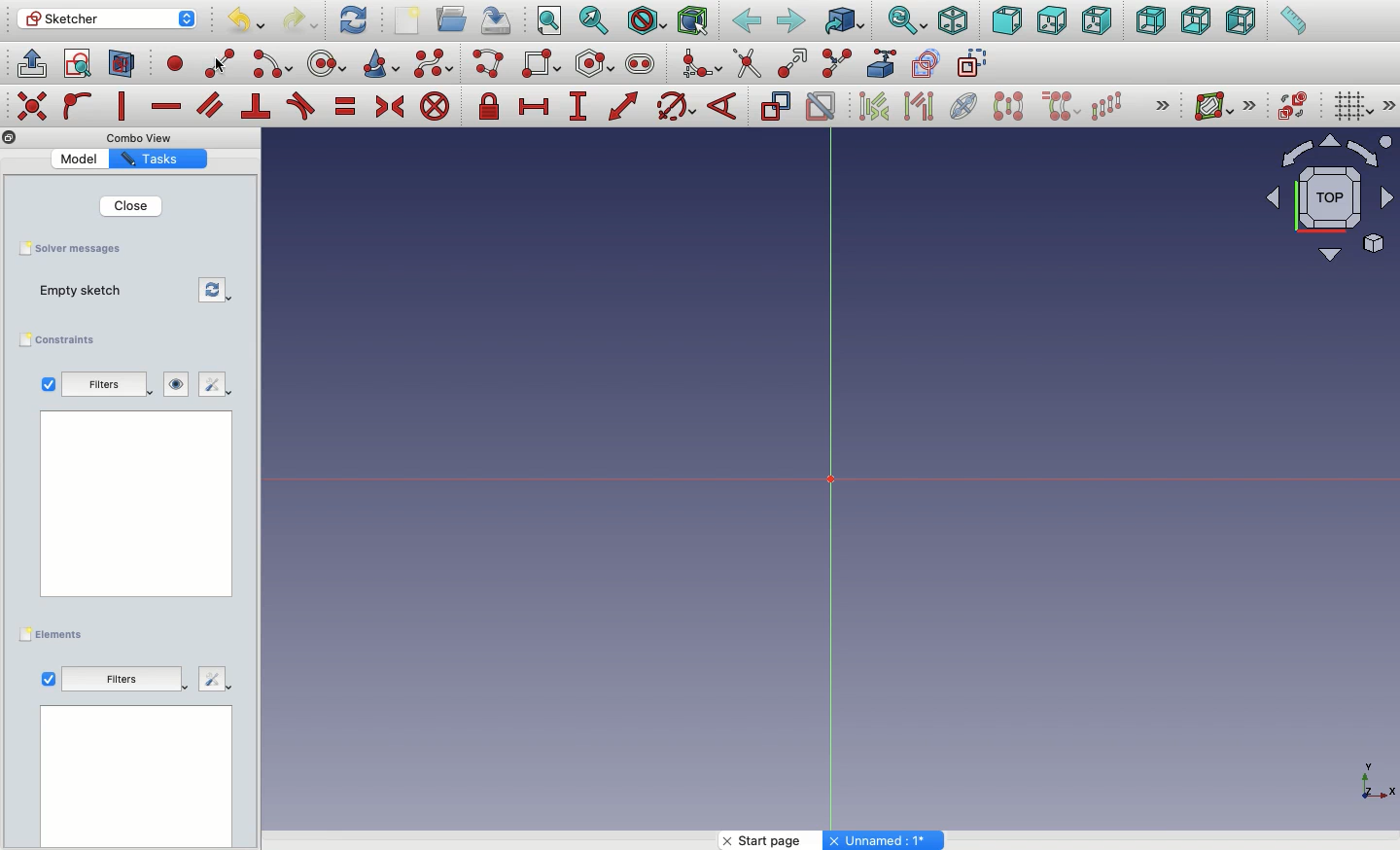  Describe the element at coordinates (677, 106) in the screenshot. I see `Constrain Circle` at that location.